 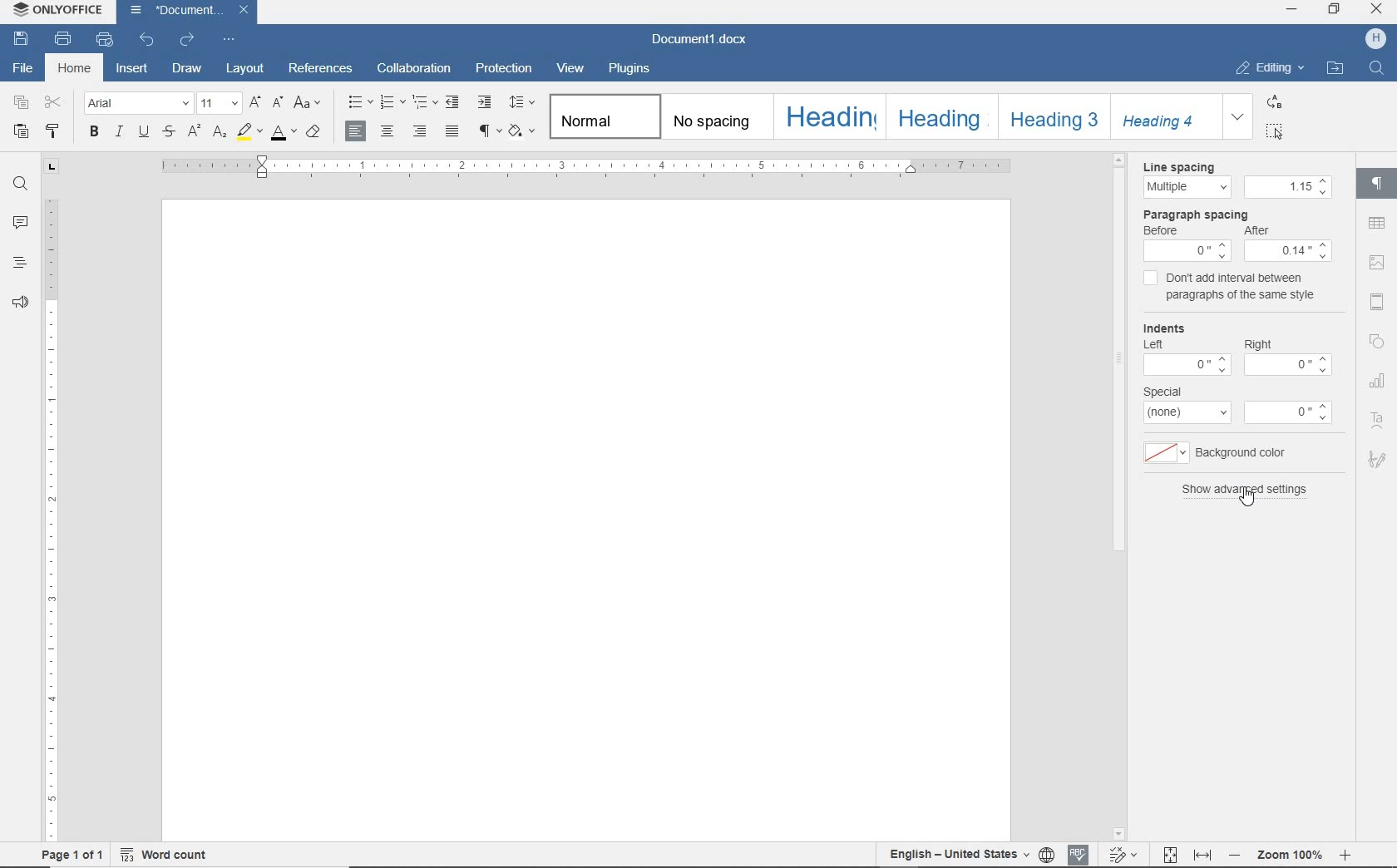 What do you see at coordinates (1336, 71) in the screenshot?
I see `OPEN FILE LOCATION` at bounding box center [1336, 71].